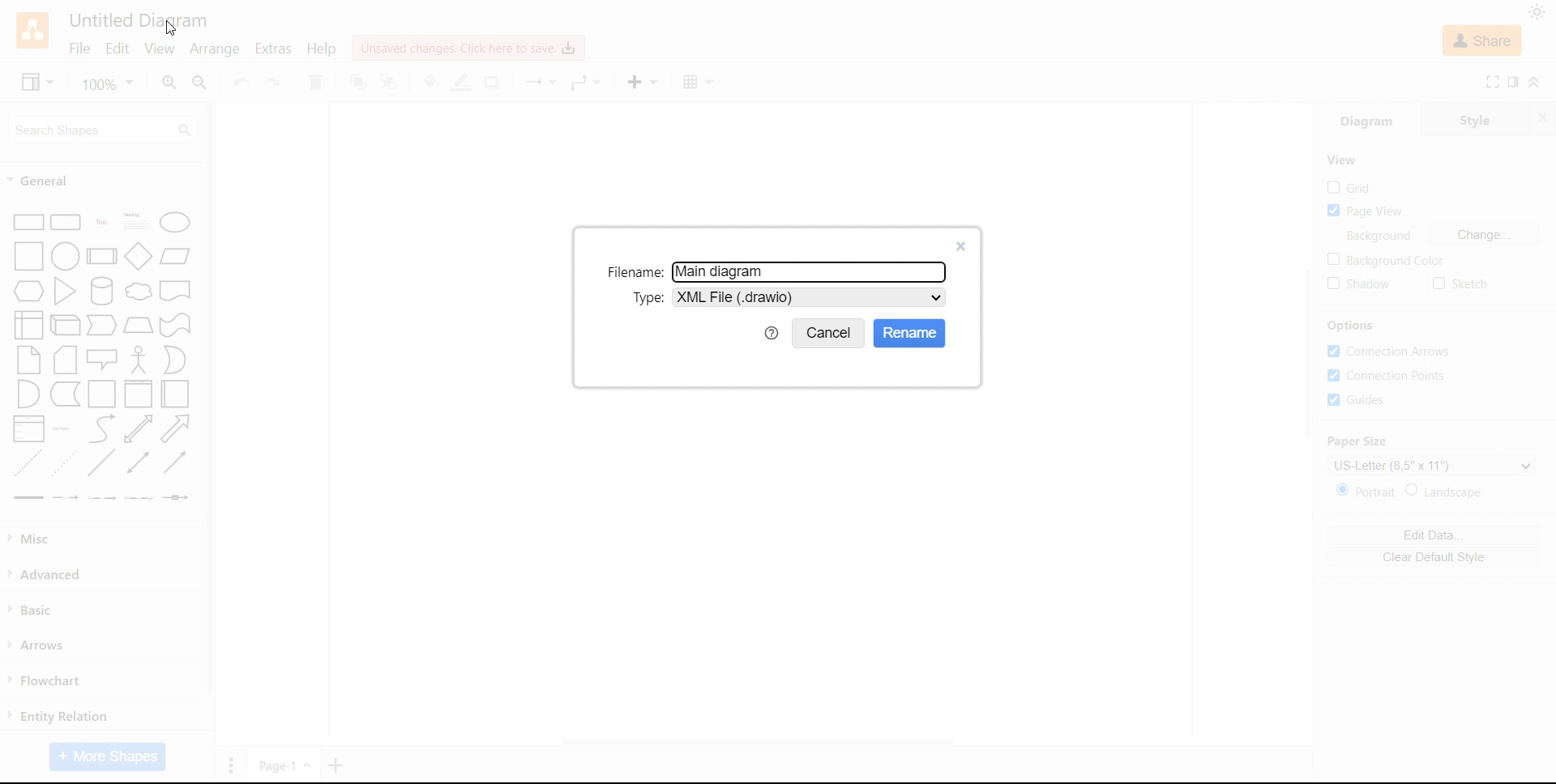 This screenshot has height=784, width=1556. I want to click on Unsaved changes click here to save , so click(465, 48).